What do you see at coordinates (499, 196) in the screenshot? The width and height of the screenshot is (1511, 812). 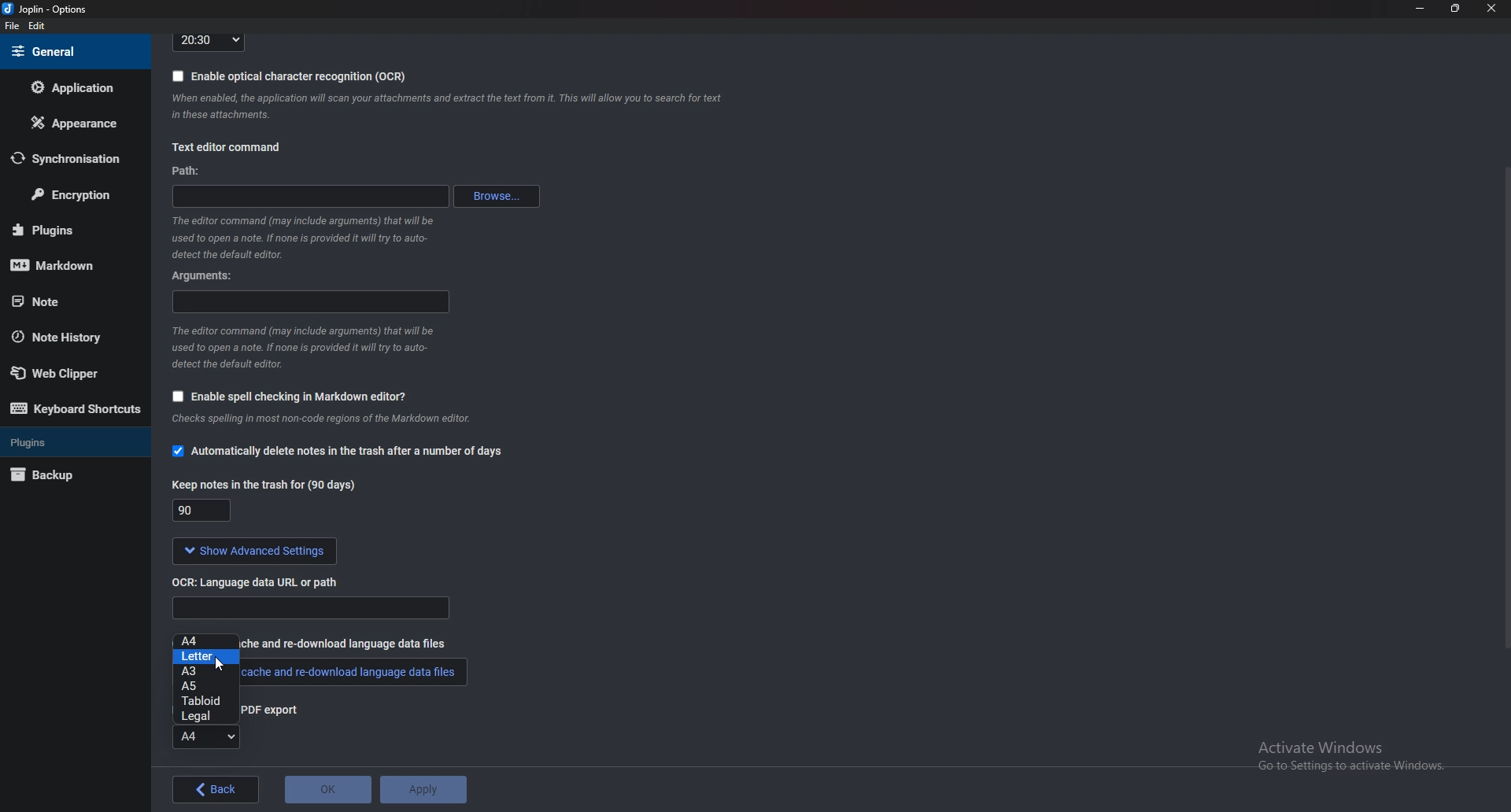 I see `Browse` at bounding box center [499, 196].